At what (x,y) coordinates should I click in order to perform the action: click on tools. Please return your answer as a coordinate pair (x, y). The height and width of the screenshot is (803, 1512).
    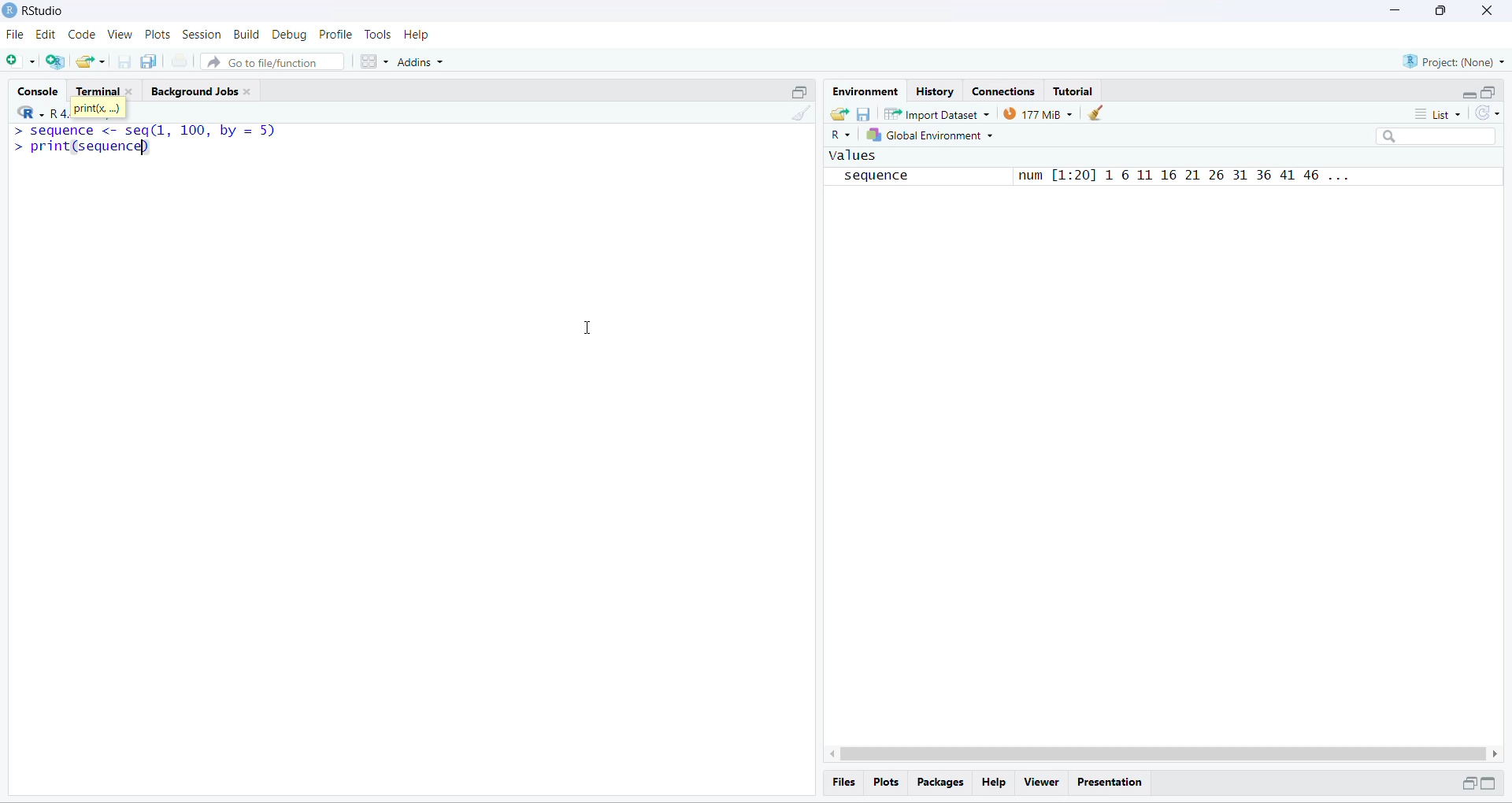
    Looking at the image, I should click on (380, 34).